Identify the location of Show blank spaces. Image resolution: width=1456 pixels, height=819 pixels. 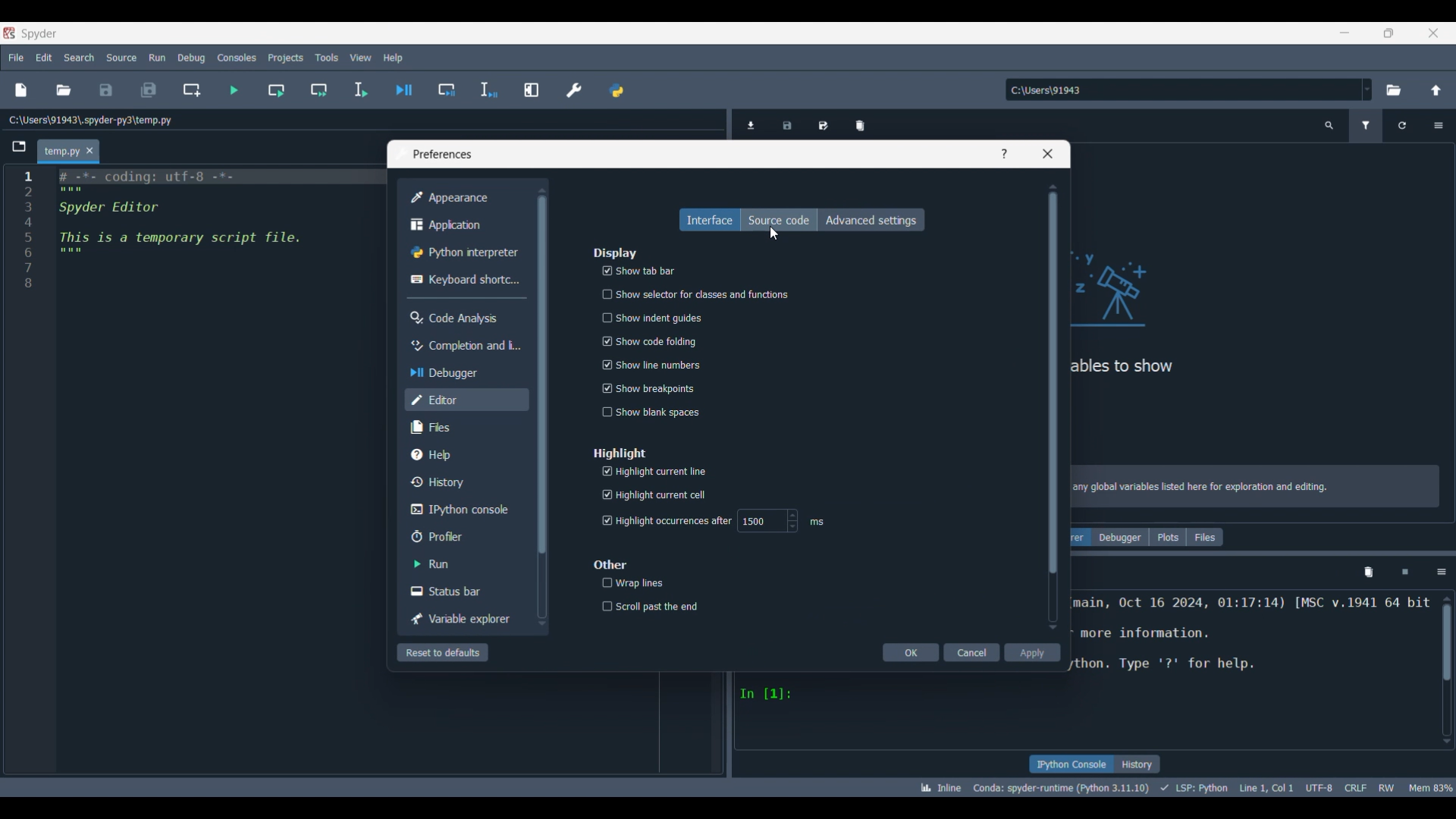
(652, 413).